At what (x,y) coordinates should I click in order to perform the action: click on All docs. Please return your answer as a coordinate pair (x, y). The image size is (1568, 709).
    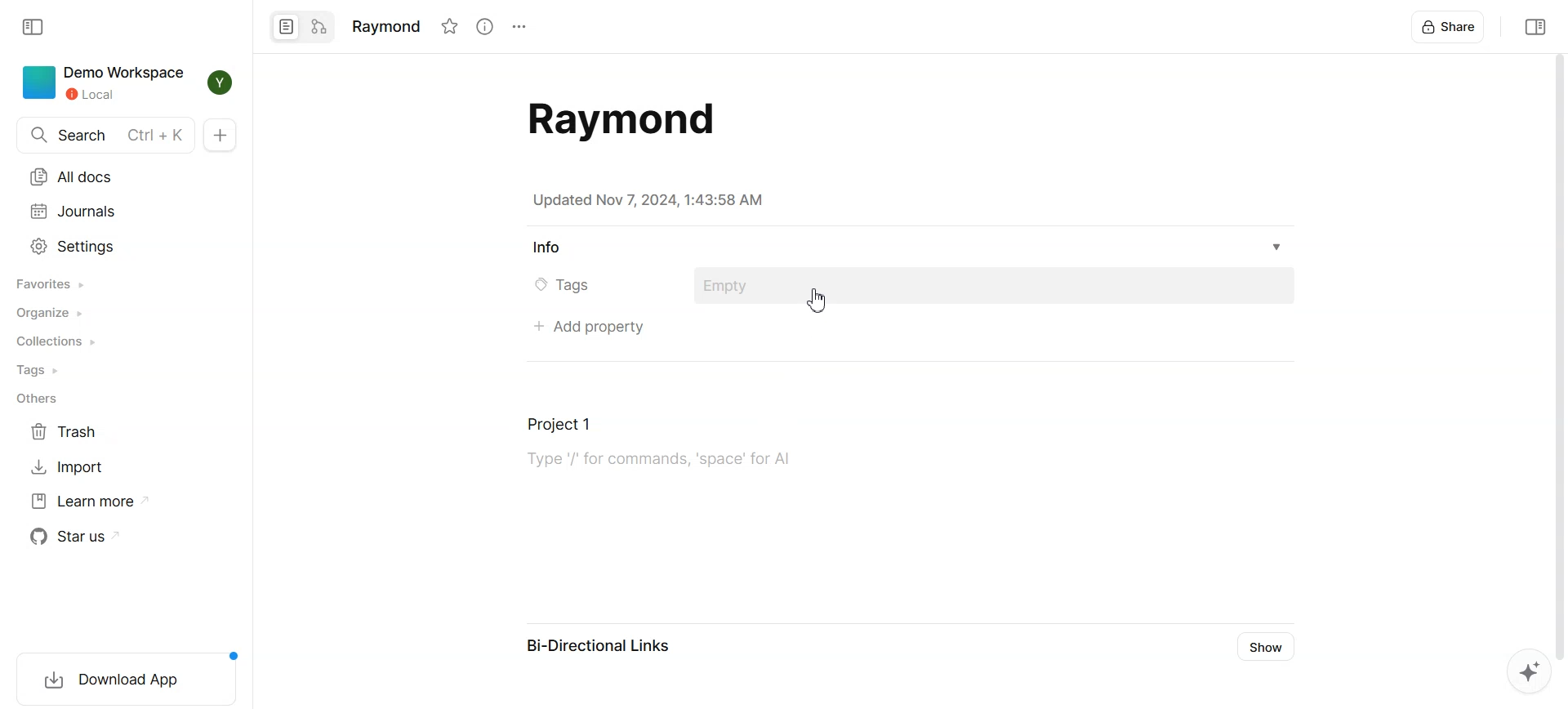
    Looking at the image, I should click on (74, 177).